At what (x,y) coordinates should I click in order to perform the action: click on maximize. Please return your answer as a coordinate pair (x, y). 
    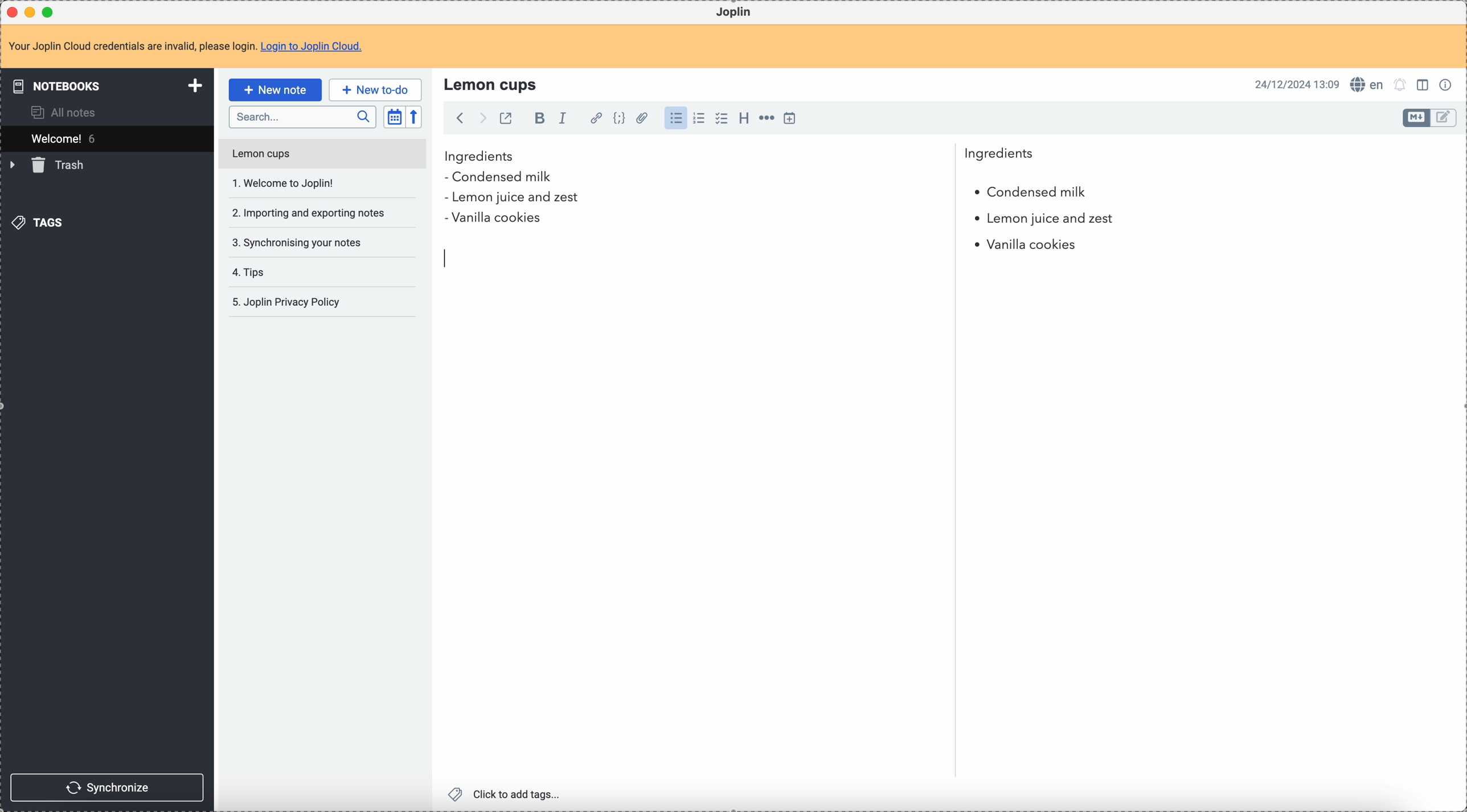
    Looking at the image, I should click on (51, 11).